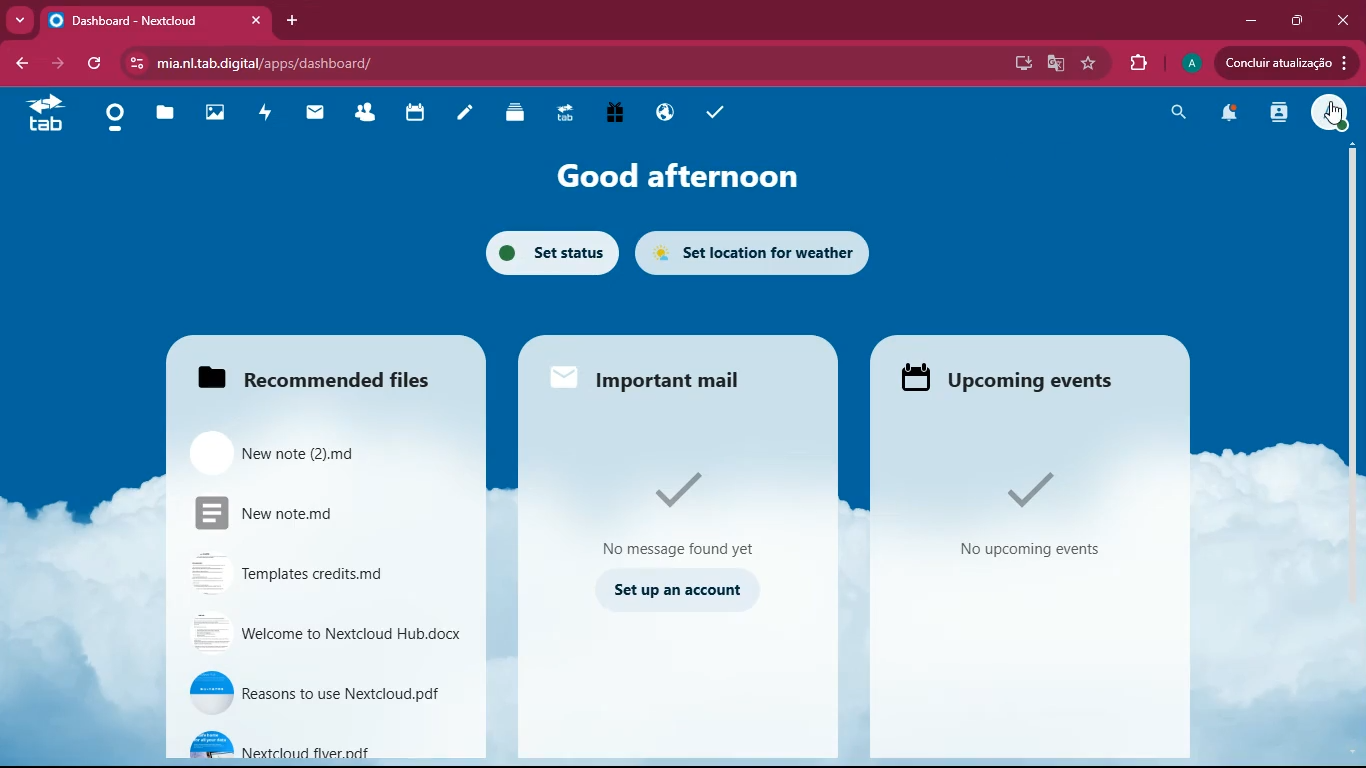 This screenshot has width=1366, height=768. What do you see at coordinates (61, 64) in the screenshot?
I see `forward` at bounding box center [61, 64].